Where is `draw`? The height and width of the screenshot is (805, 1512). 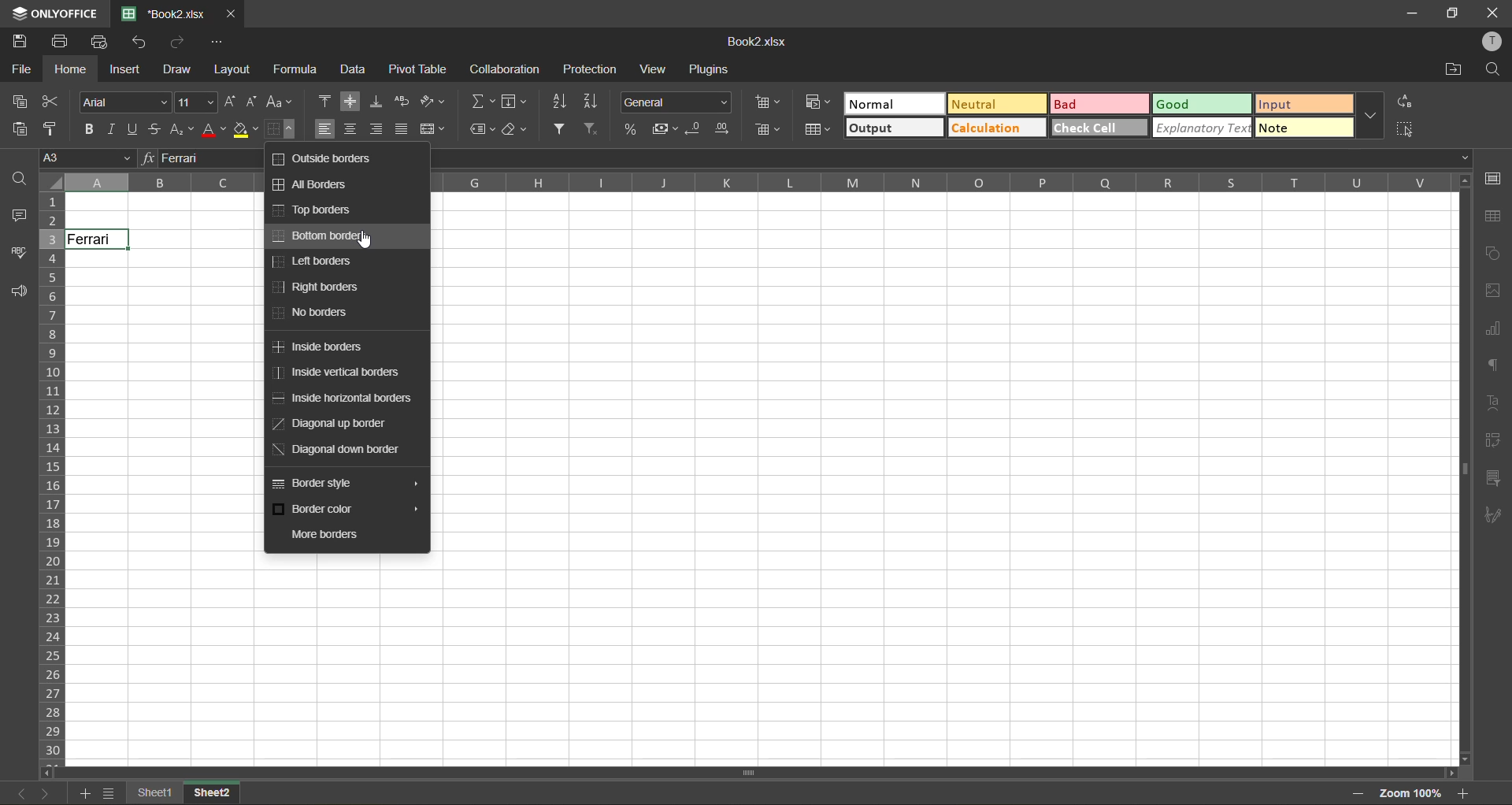
draw is located at coordinates (180, 68).